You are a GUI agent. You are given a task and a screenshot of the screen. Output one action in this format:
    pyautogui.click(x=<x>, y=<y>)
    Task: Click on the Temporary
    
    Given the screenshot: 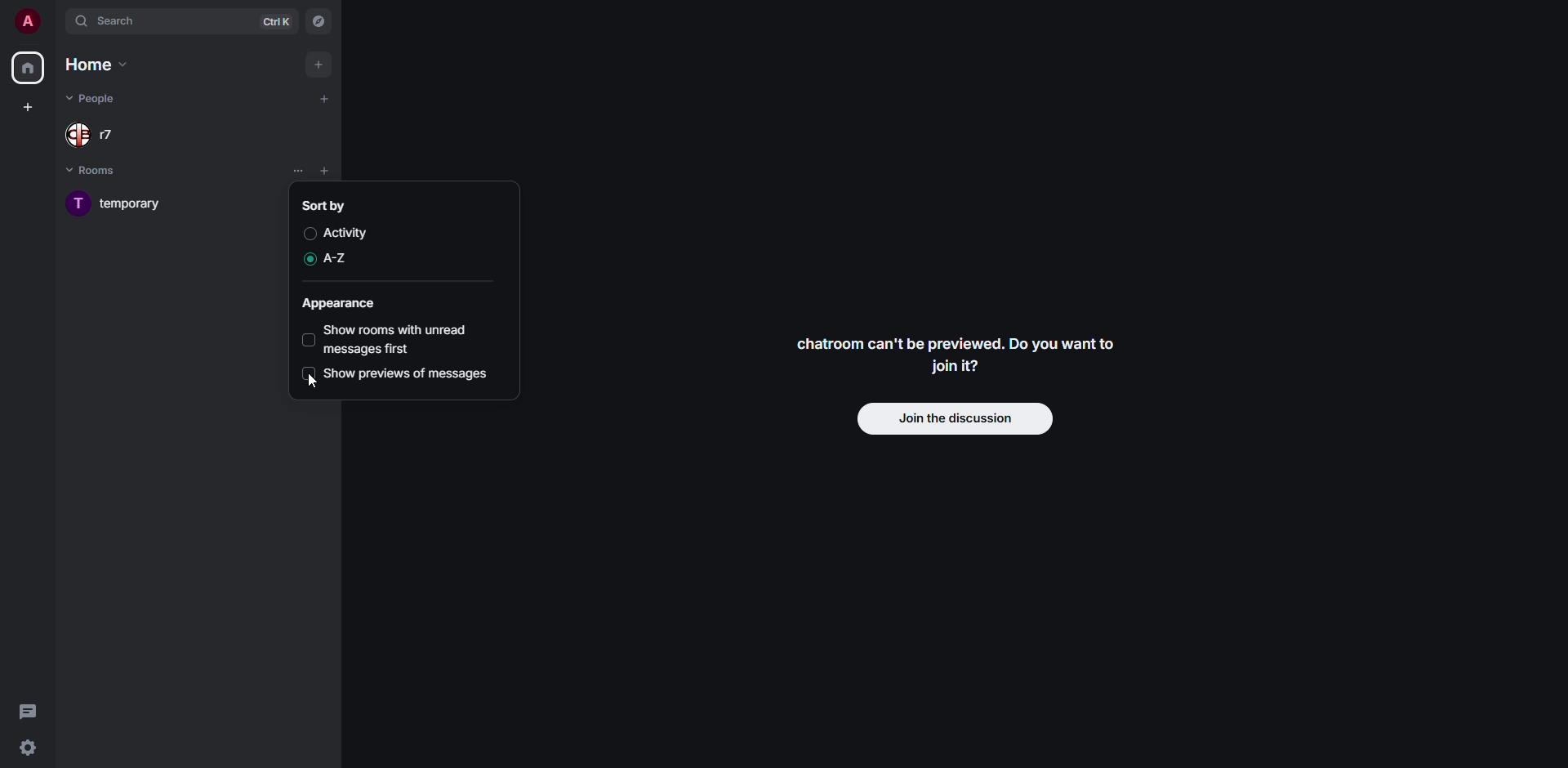 What is the action you would take?
    pyautogui.click(x=120, y=203)
    